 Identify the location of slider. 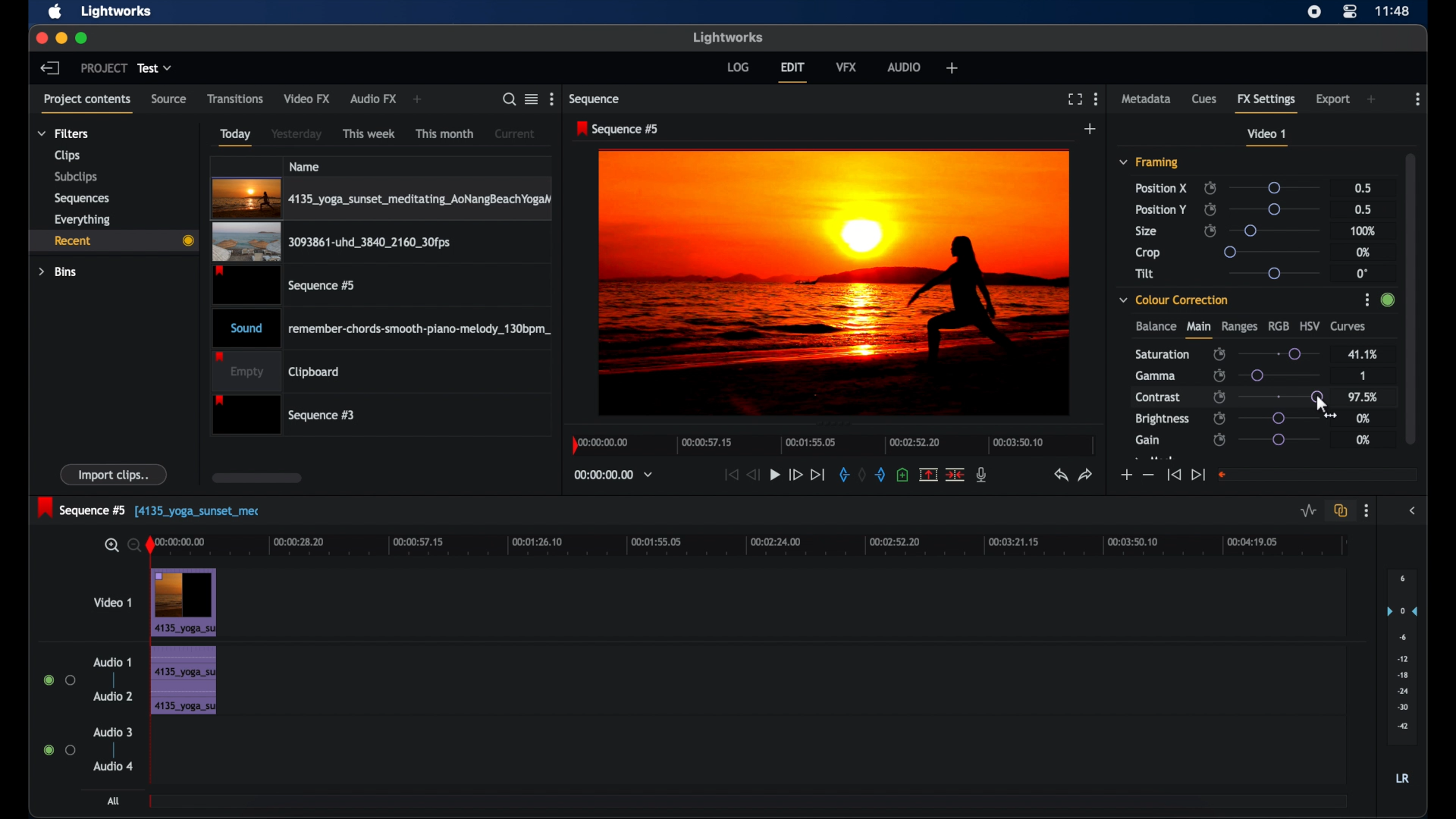
(1279, 418).